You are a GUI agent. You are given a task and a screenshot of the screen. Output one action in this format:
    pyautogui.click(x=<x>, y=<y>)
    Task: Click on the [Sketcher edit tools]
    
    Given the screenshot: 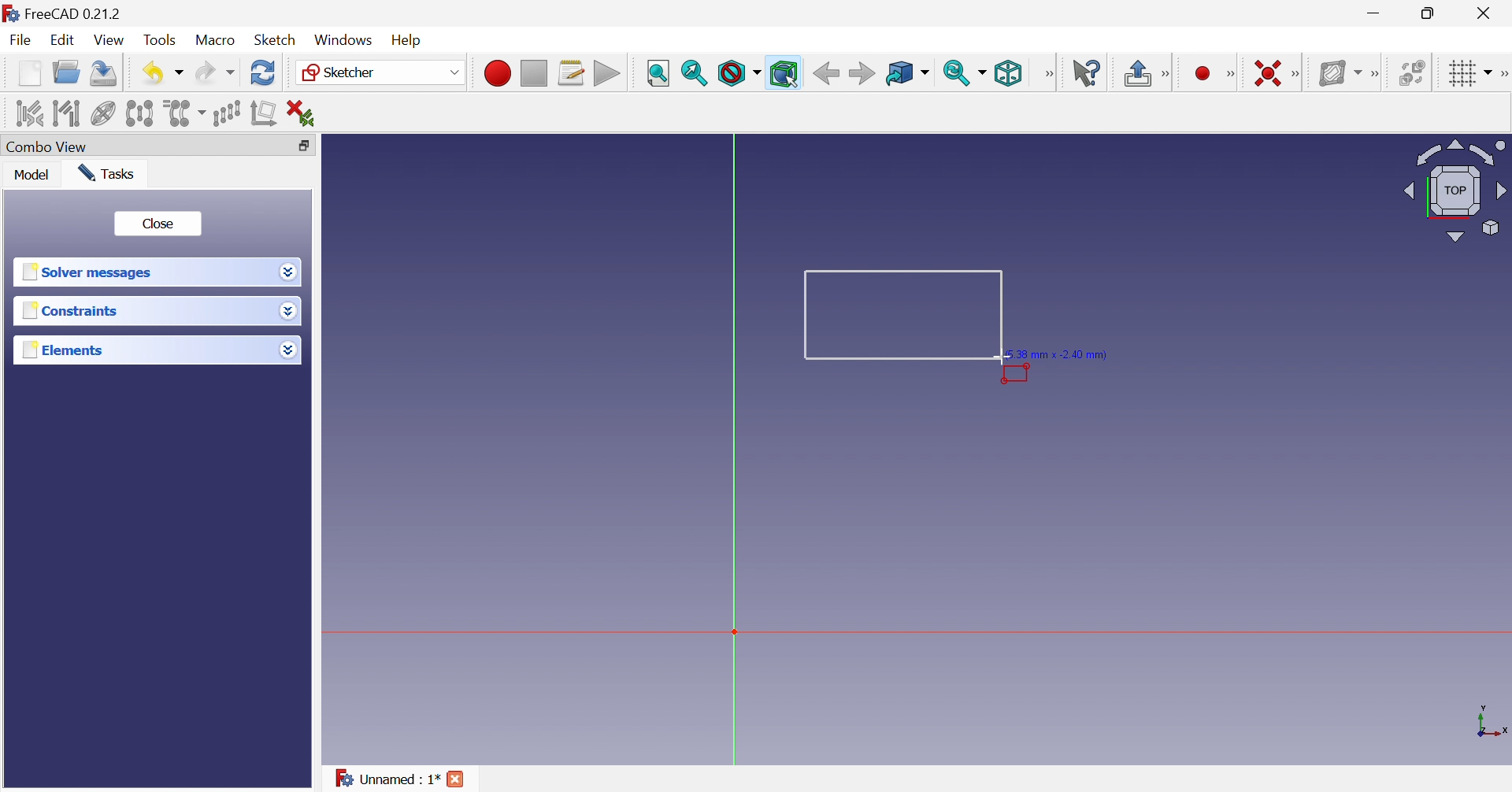 What is the action you would take?
    pyautogui.click(x=1503, y=73)
    